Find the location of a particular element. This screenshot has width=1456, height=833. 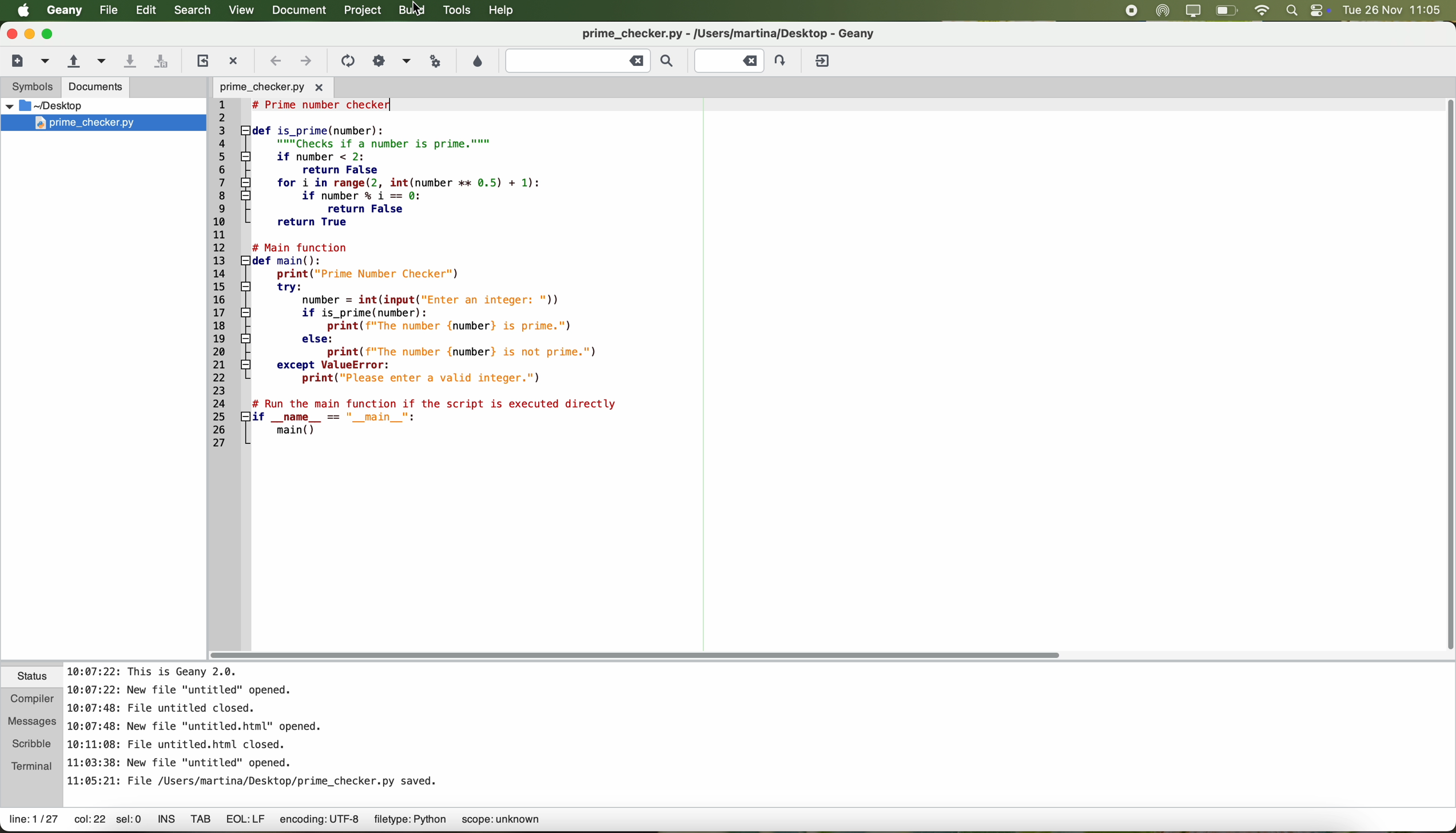

navigate foward is located at coordinates (307, 63).